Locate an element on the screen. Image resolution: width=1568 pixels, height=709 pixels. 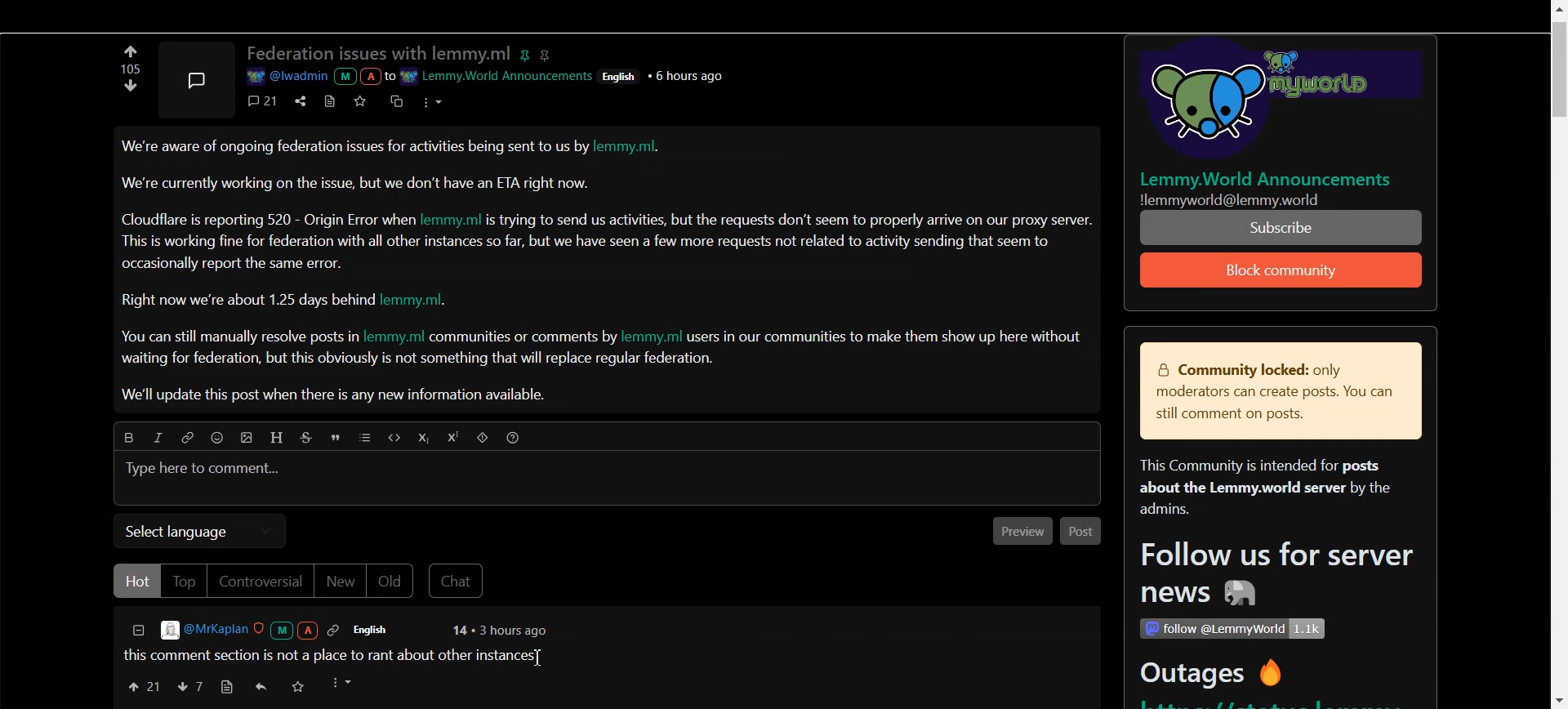
Strike through is located at coordinates (309, 438).